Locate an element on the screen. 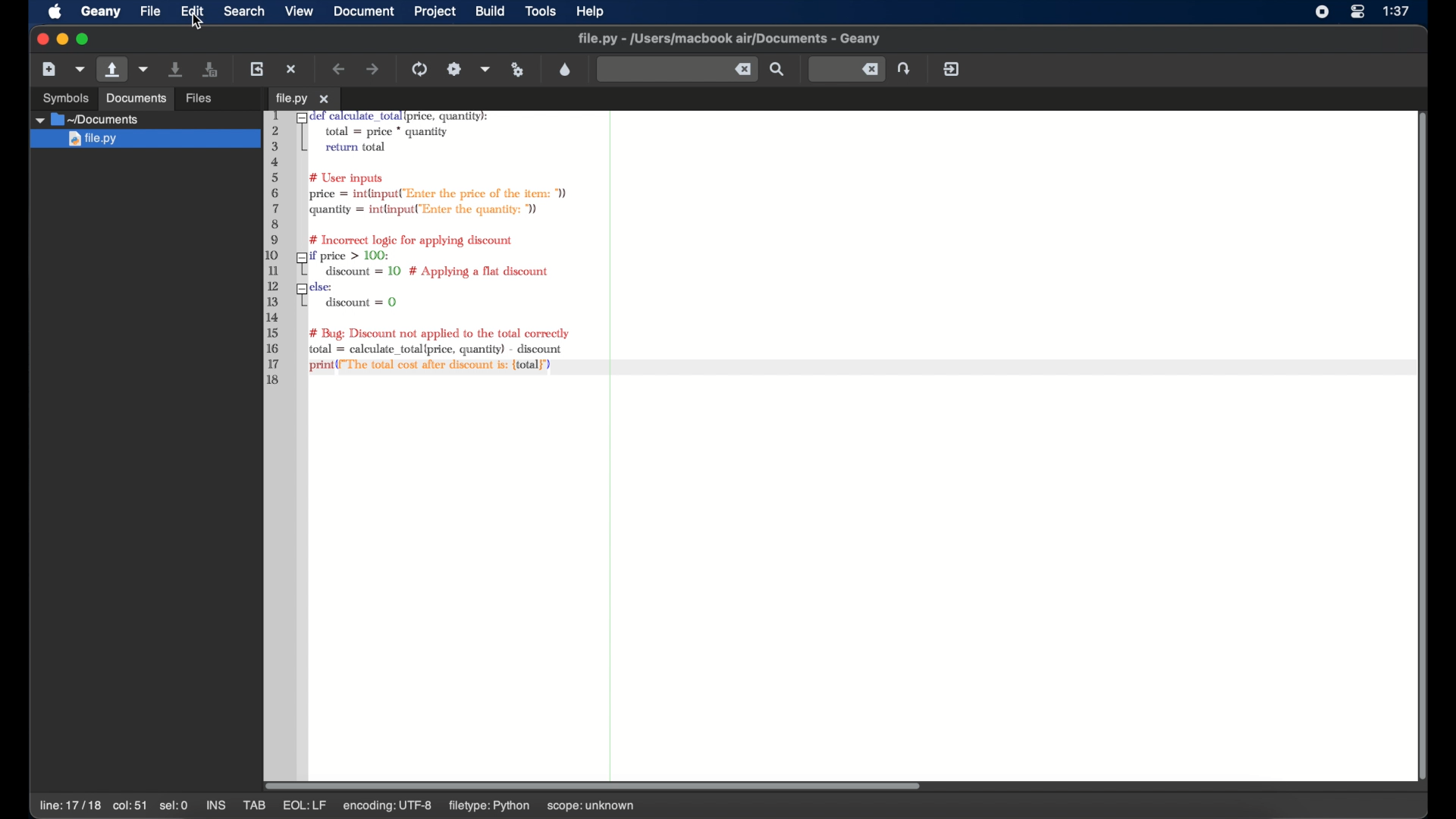 The width and height of the screenshot is (1456, 819). time is located at coordinates (1398, 11).